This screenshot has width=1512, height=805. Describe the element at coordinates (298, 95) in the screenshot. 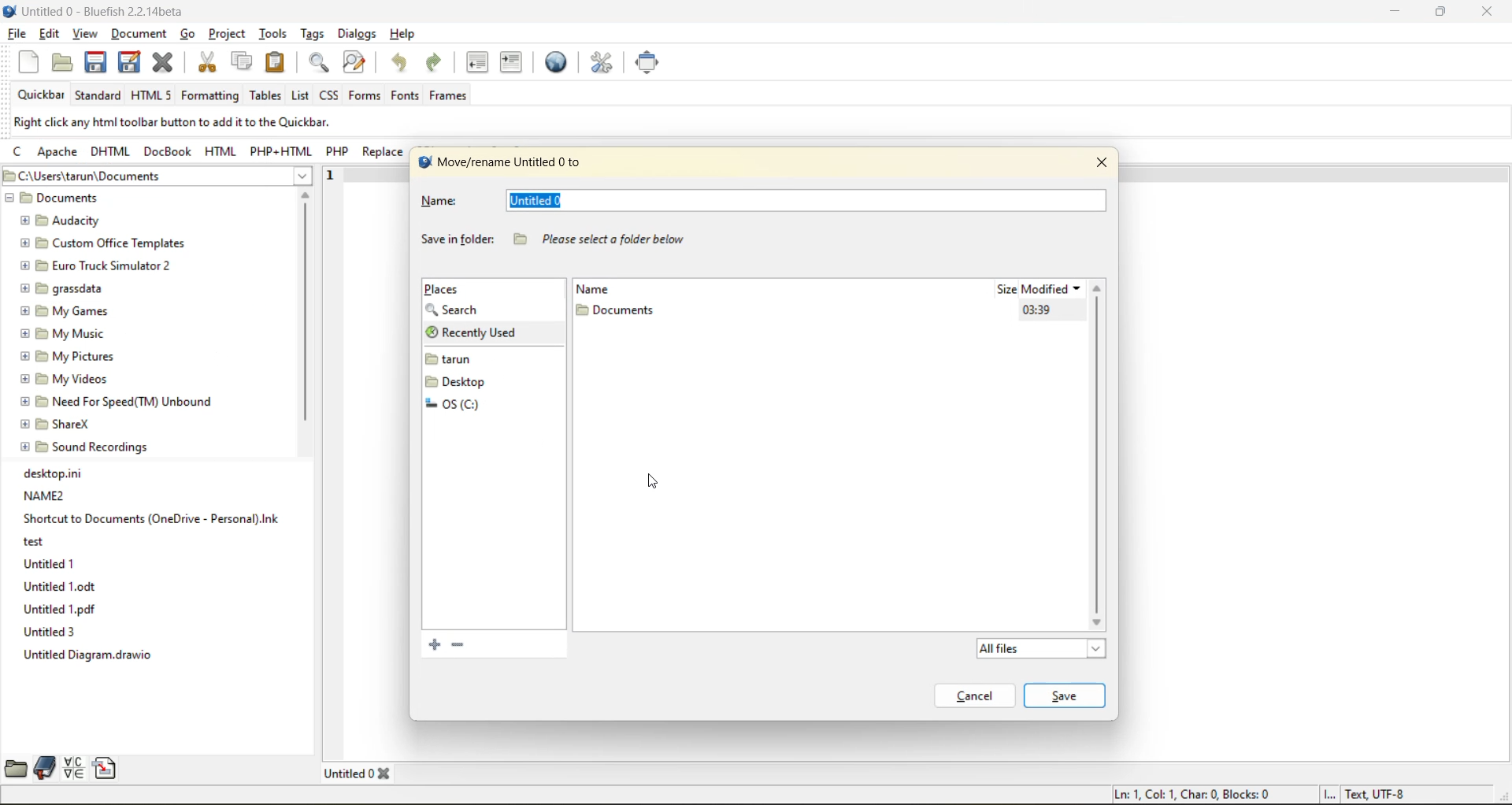

I see `list` at that location.